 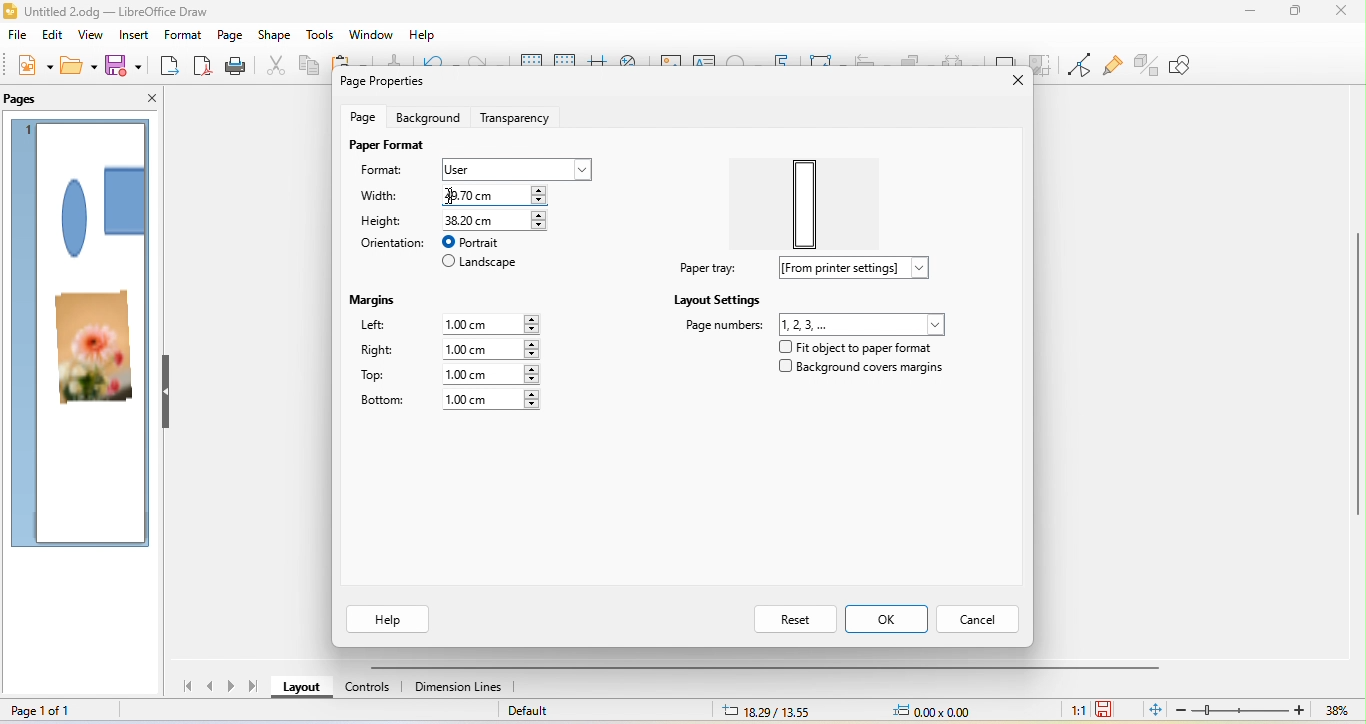 What do you see at coordinates (499, 219) in the screenshot?
I see `38.20 cm` at bounding box center [499, 219].